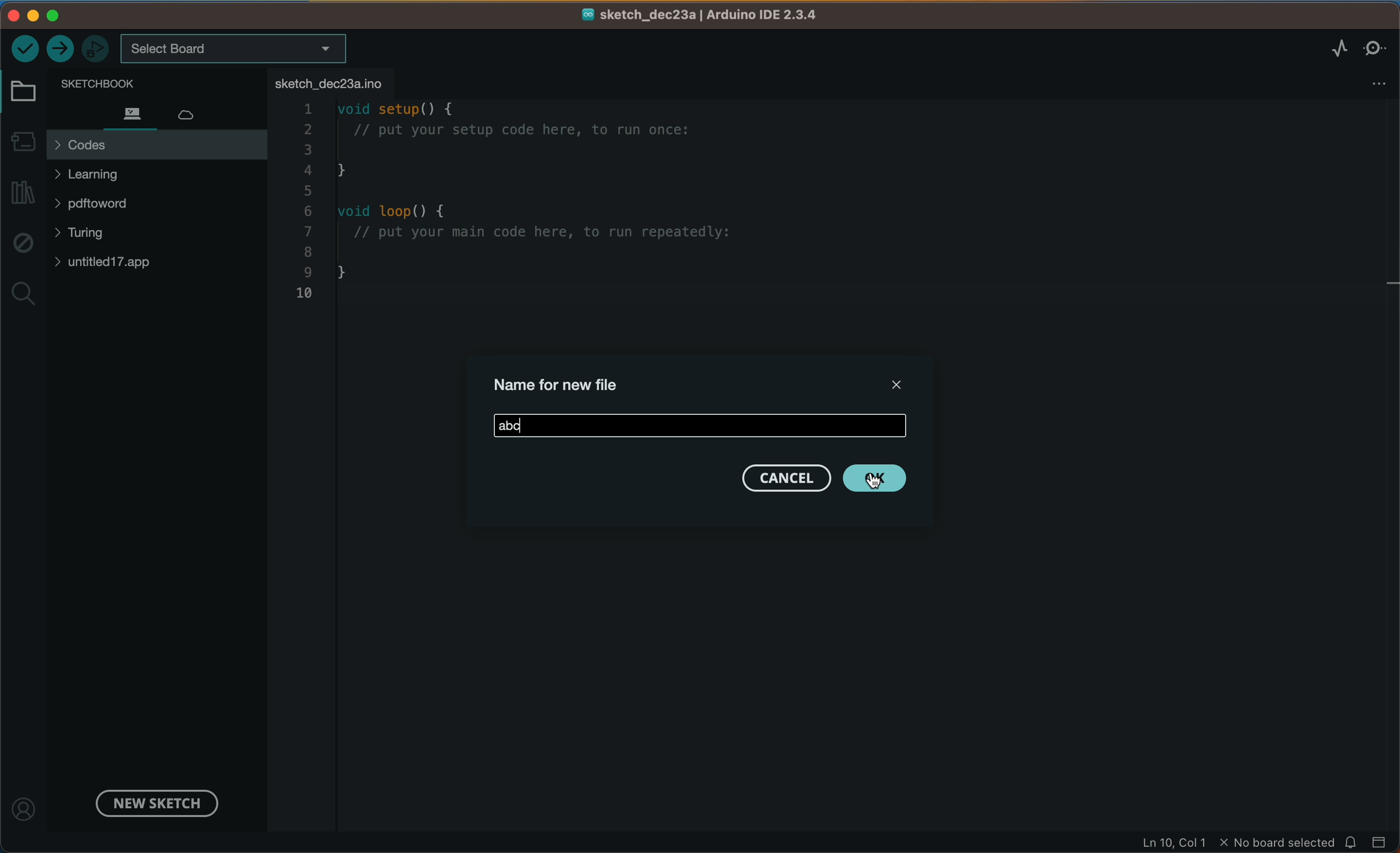 The image size is (1400, 853). What do you see at coordinates (26, 803) in the screenshot?
I see `profile` at bounding box center [26, 803].